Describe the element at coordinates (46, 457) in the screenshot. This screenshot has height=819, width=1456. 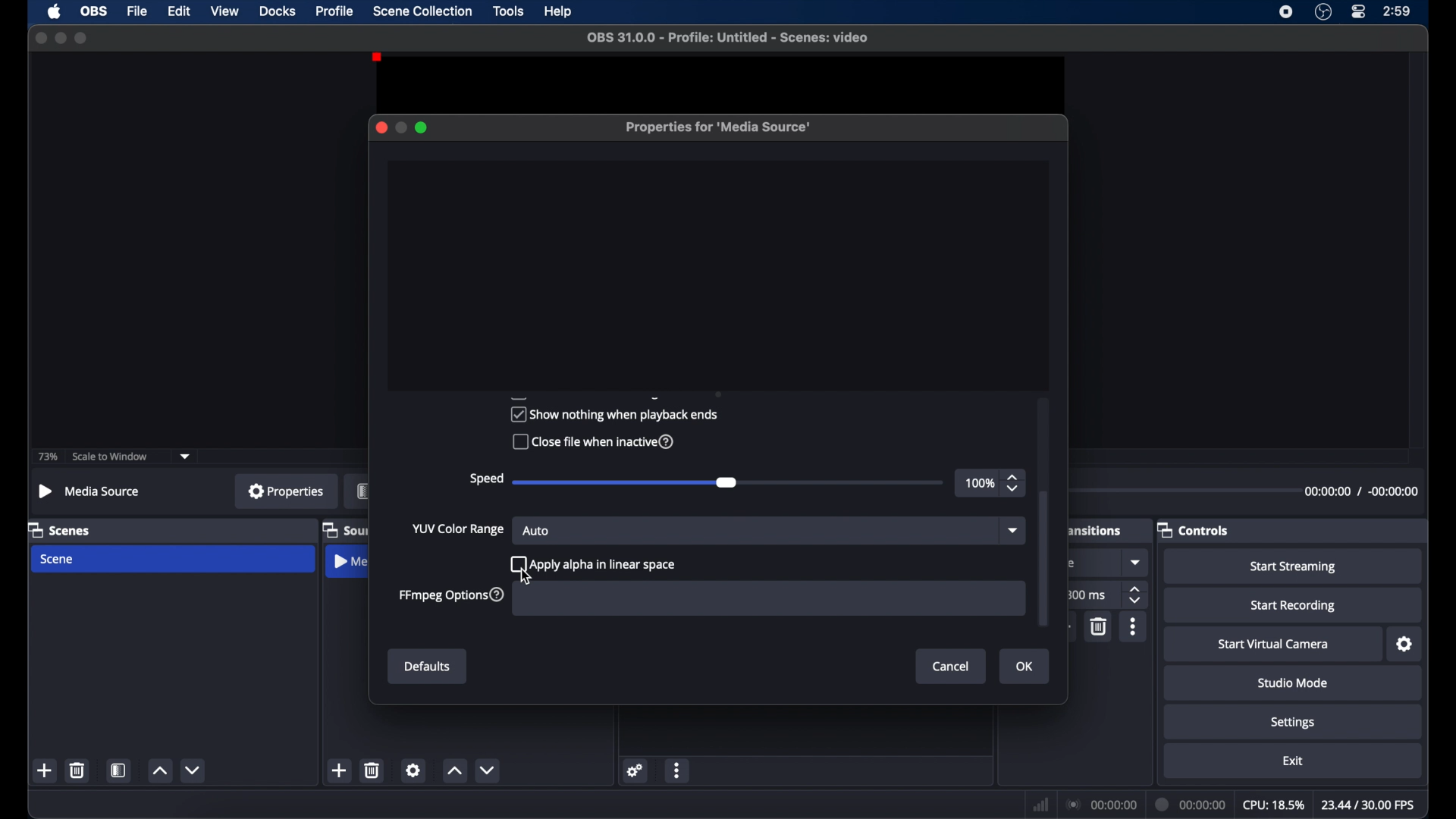
I see `73%` at that location.